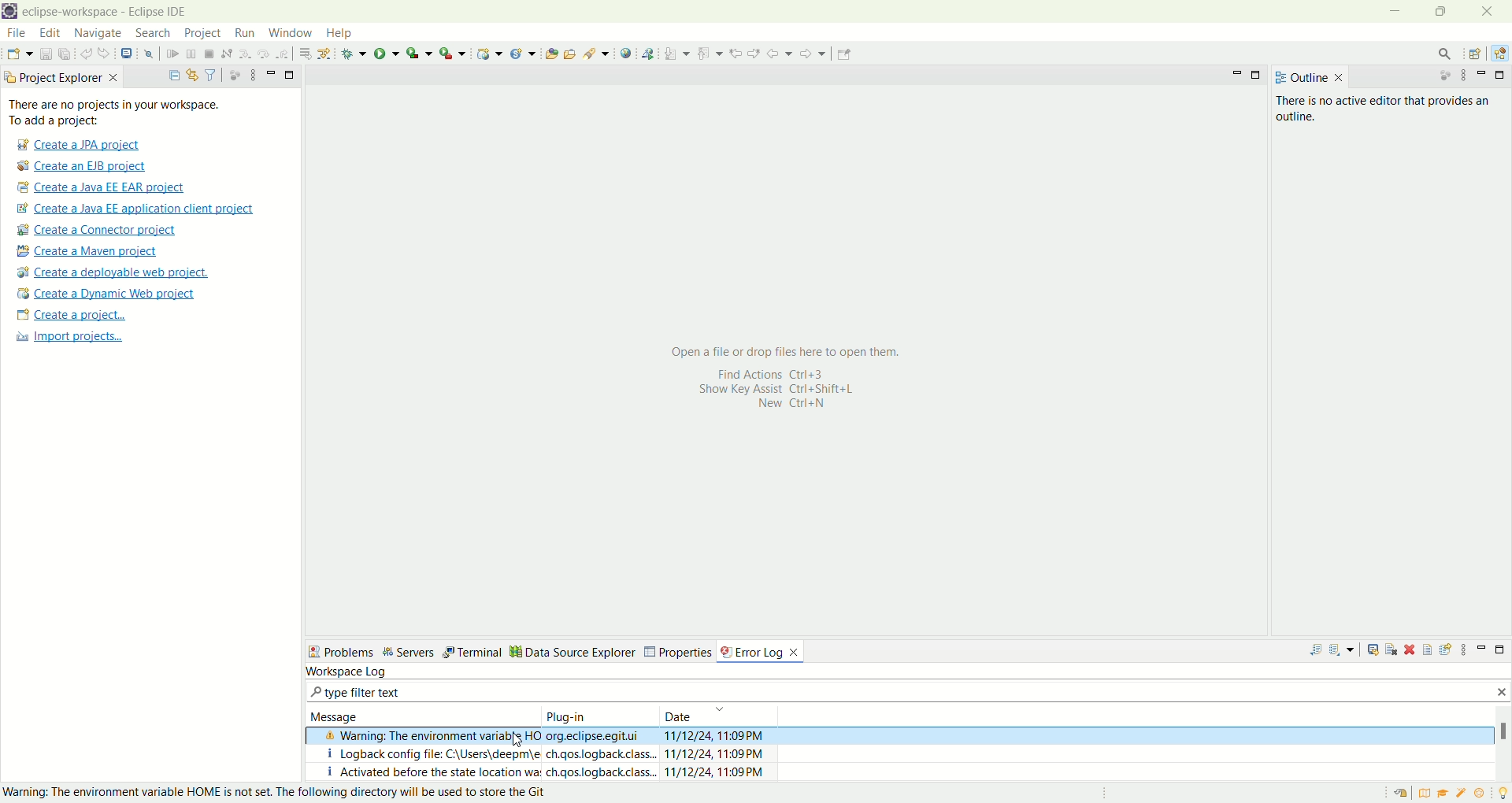 This screenshot has height=803, width=1512. Describe the element at coordinates (676, 53) in the screenshot. I see `next annotations` at that location.